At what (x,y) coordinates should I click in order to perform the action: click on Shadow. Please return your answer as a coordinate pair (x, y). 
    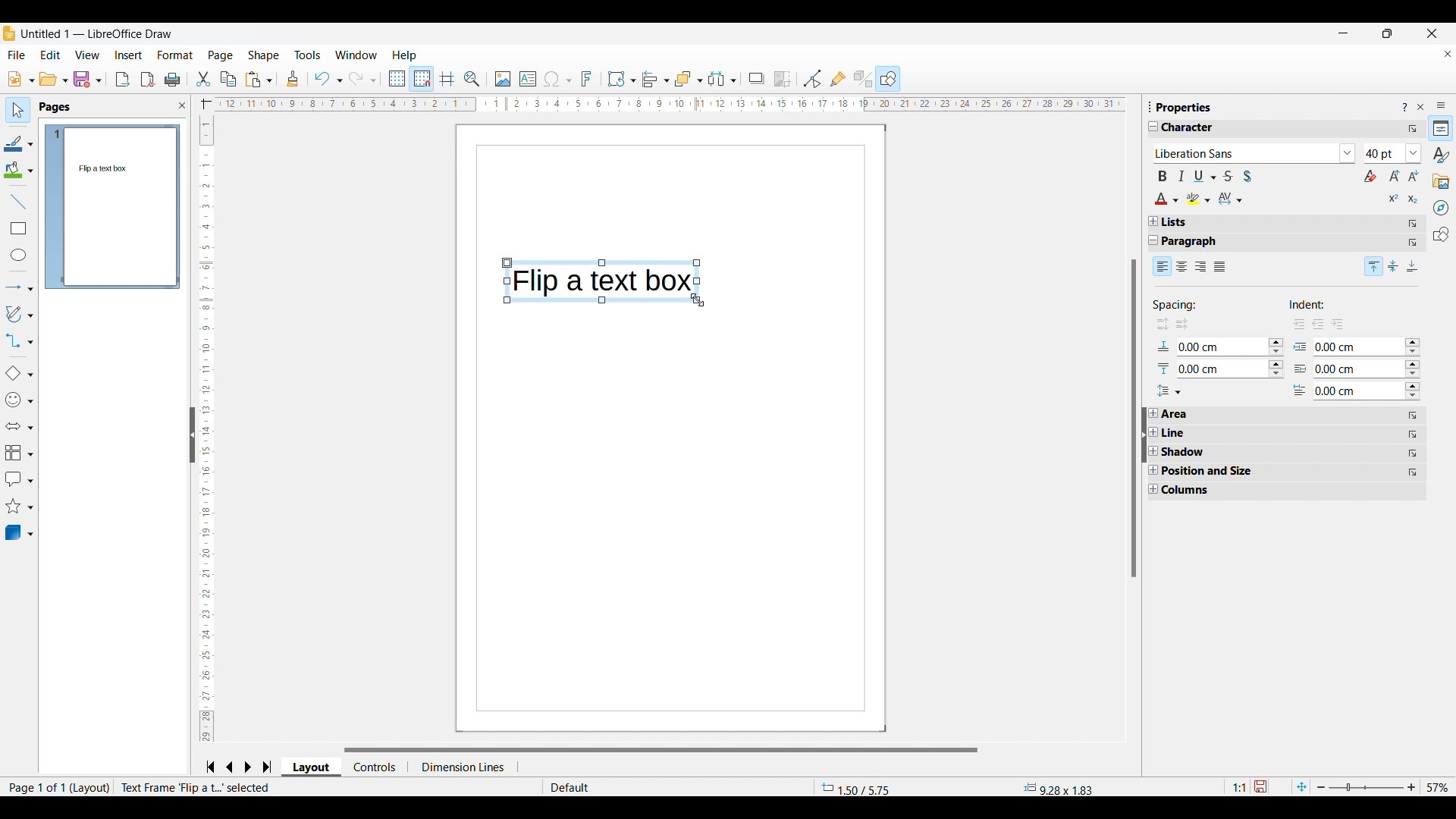
    Looking at the image, I should click on (757, 79).